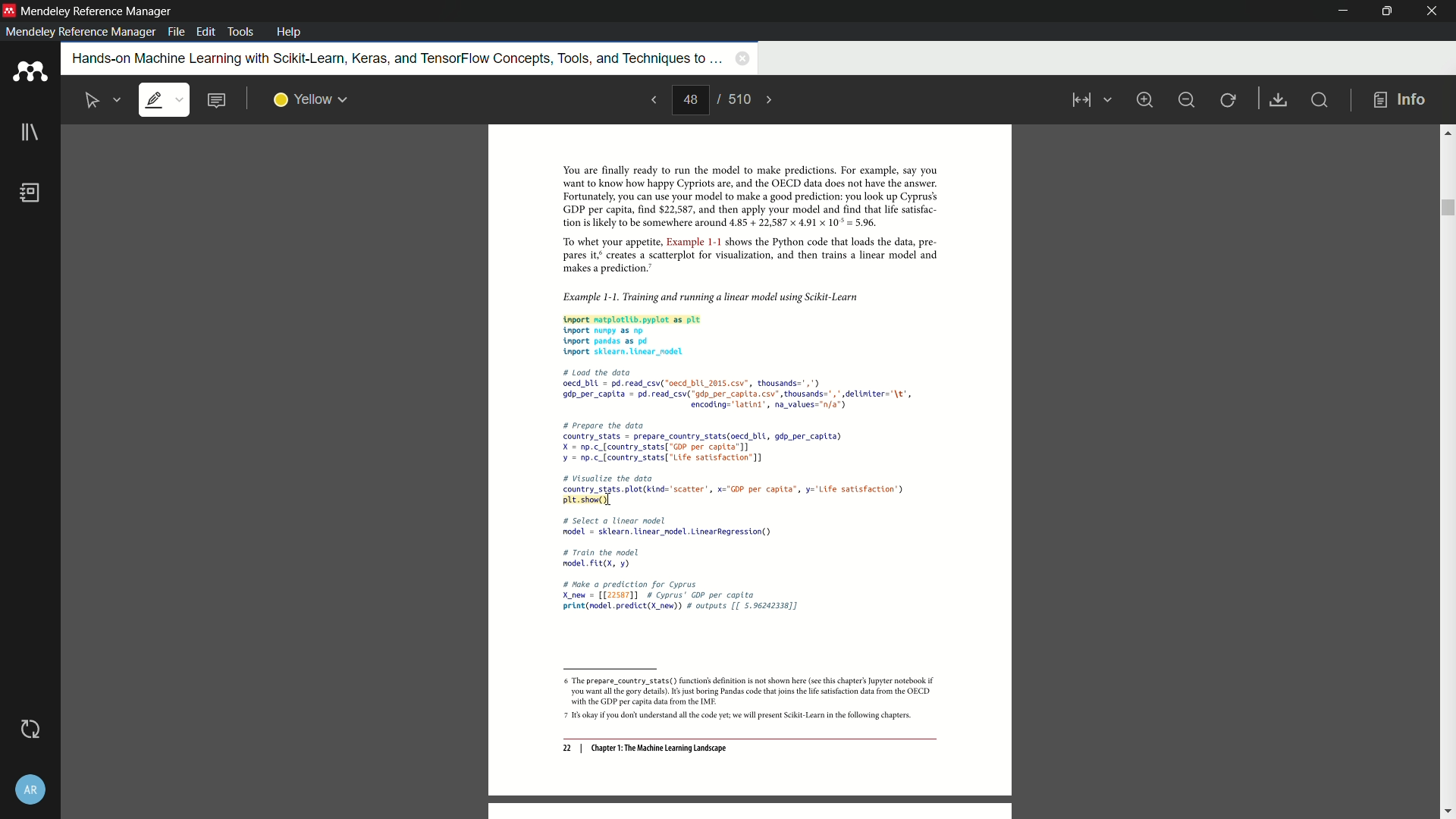 Image resolution: width=1456 pixels, height=819 pixels. Describe the element at coordinates (1345, 11) in the screenshot. I see `minimize` at that location.